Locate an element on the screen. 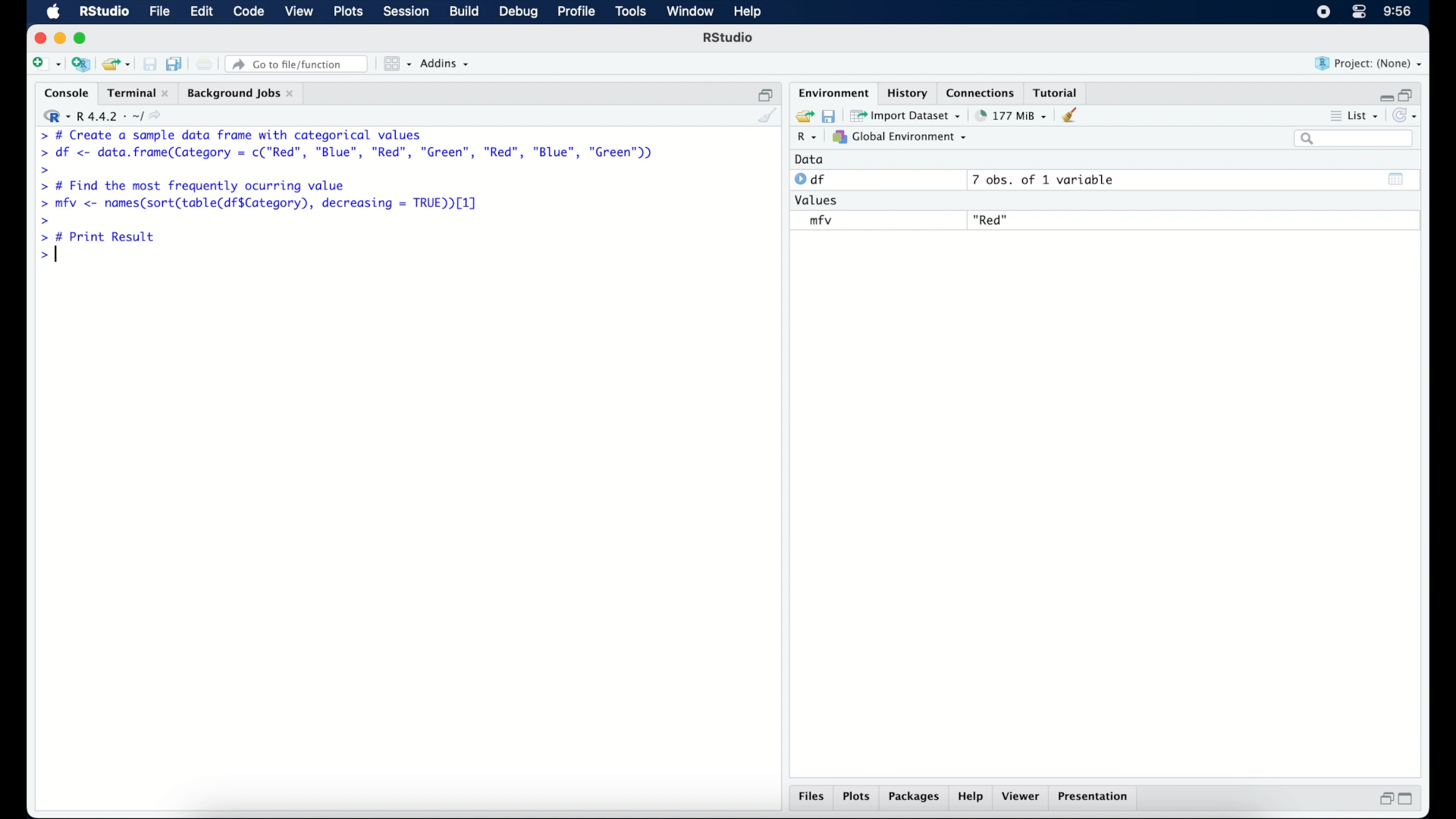 The image size is (1456, 819). refresh is located at coordinates (1407, 115).